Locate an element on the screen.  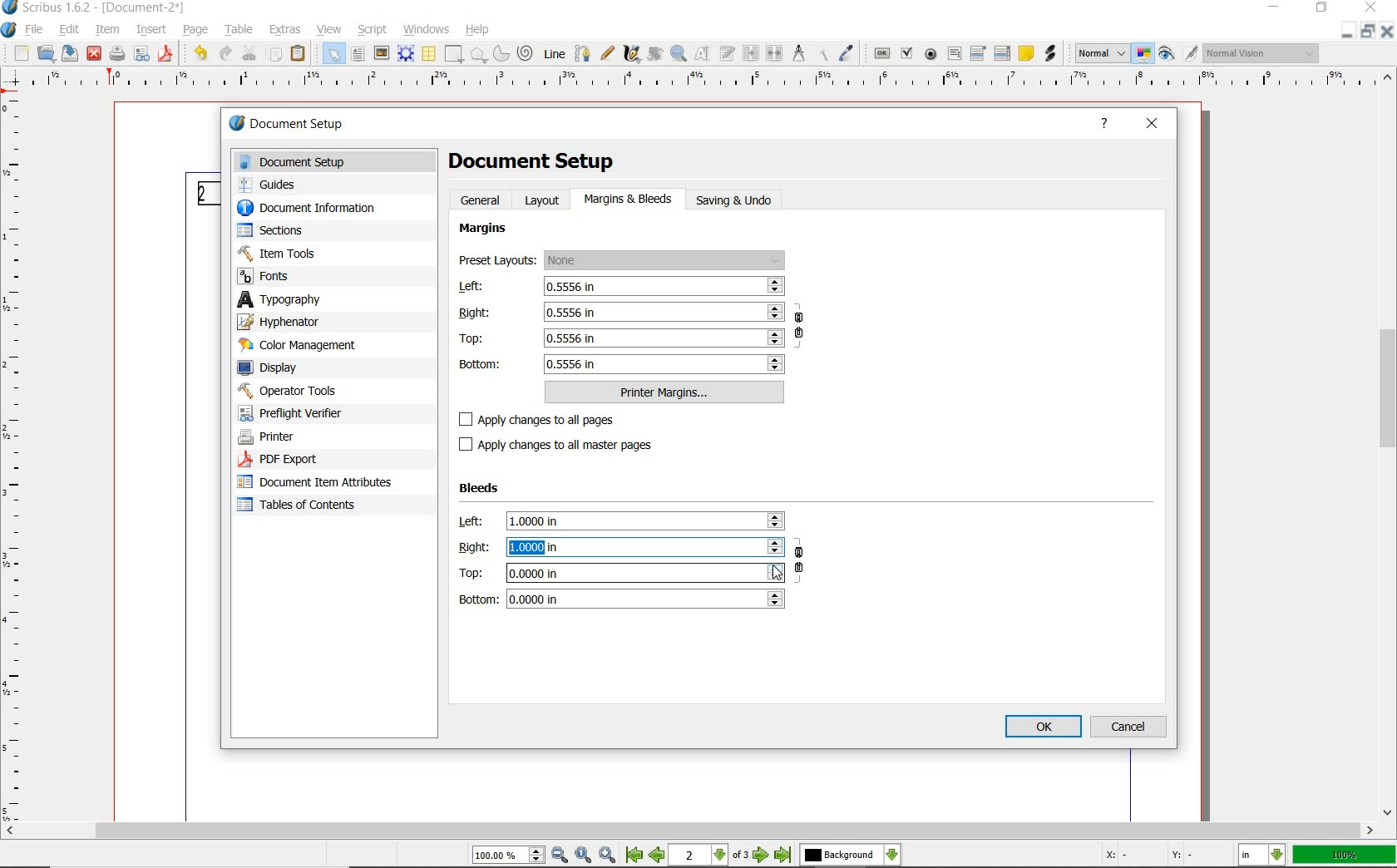
toggle color management is located at coordinates (1144, 56).